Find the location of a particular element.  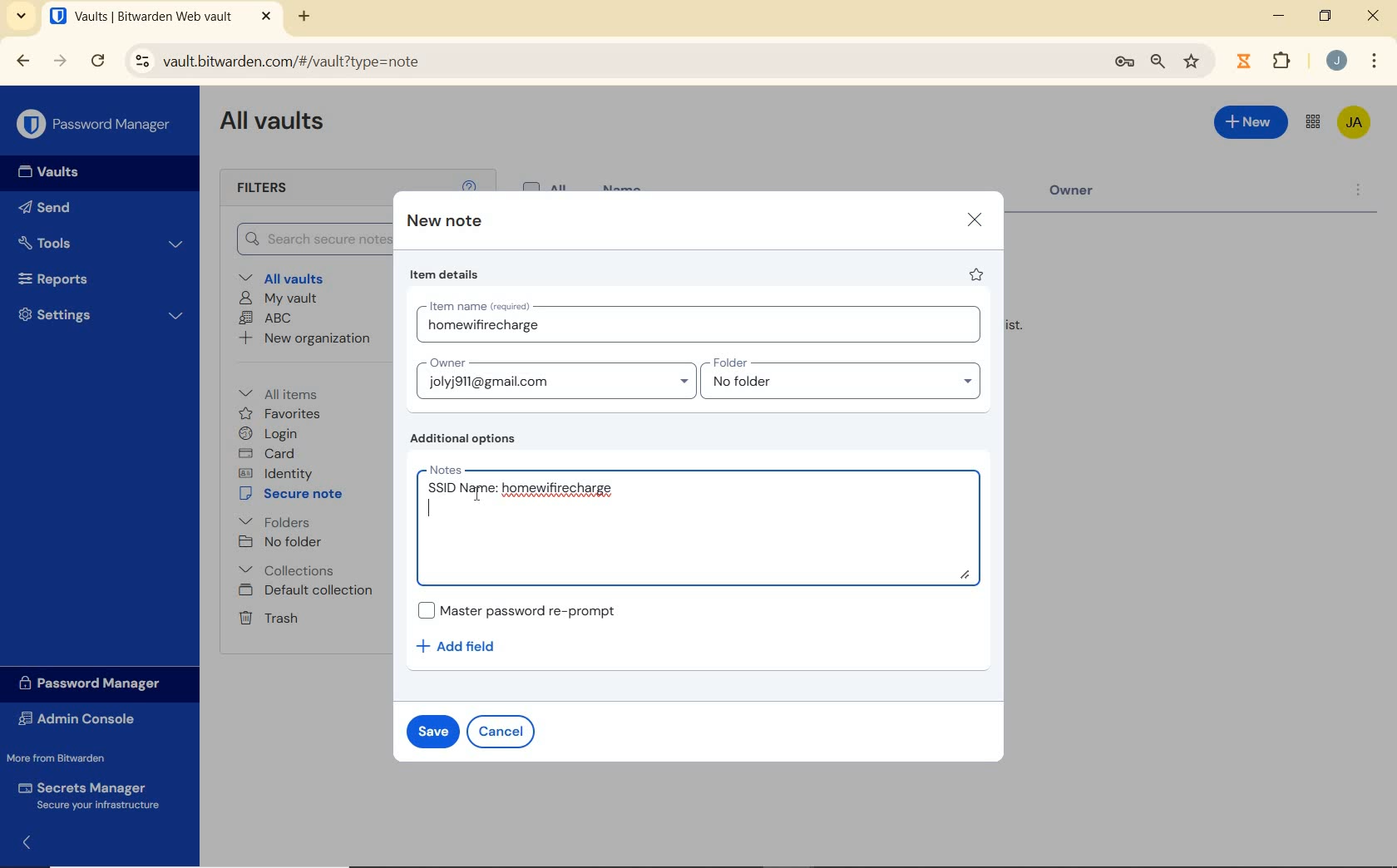

Password Manager is located at coordinates (95, 125).